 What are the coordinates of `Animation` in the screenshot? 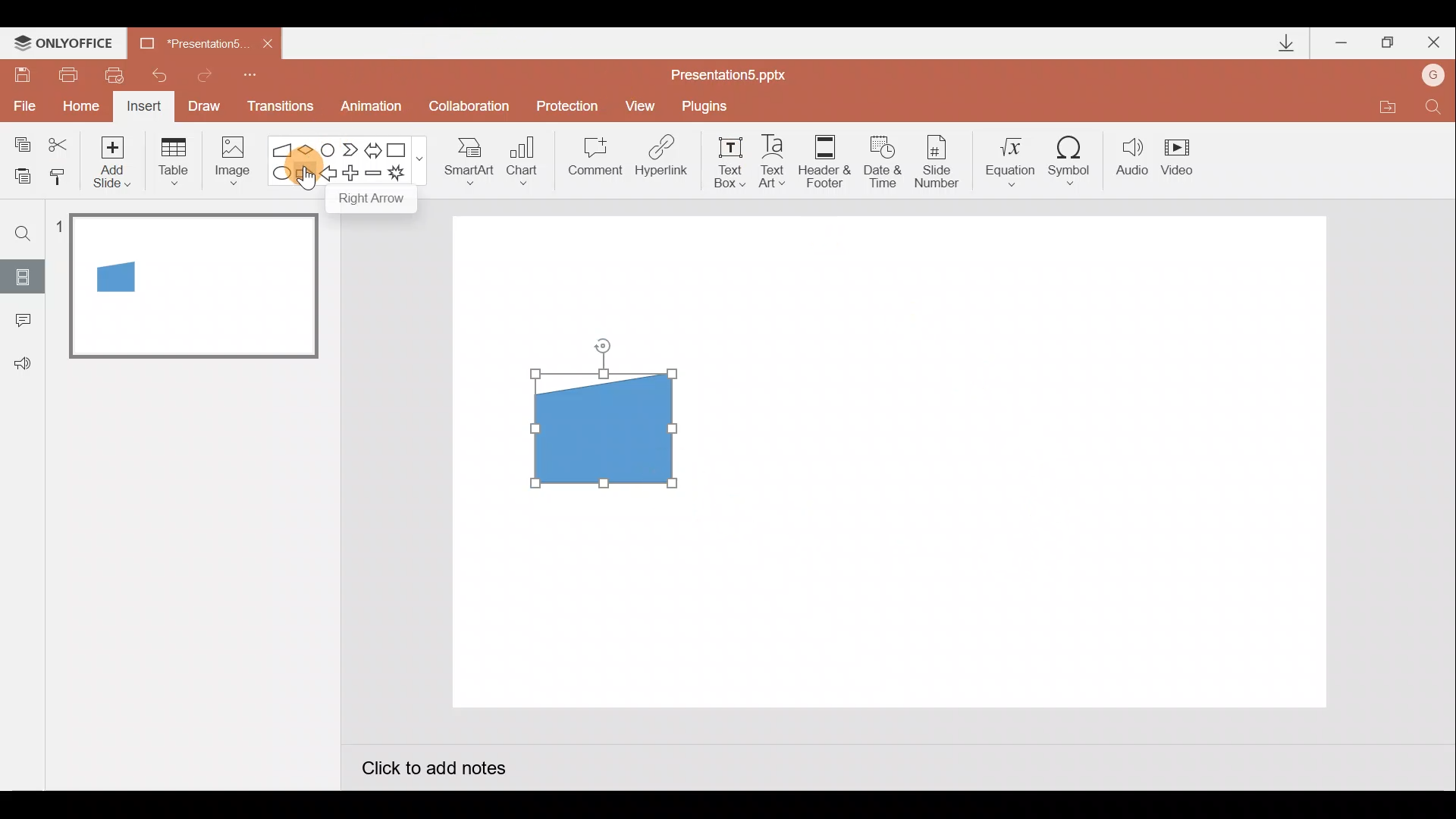 It's located at (373, 108).